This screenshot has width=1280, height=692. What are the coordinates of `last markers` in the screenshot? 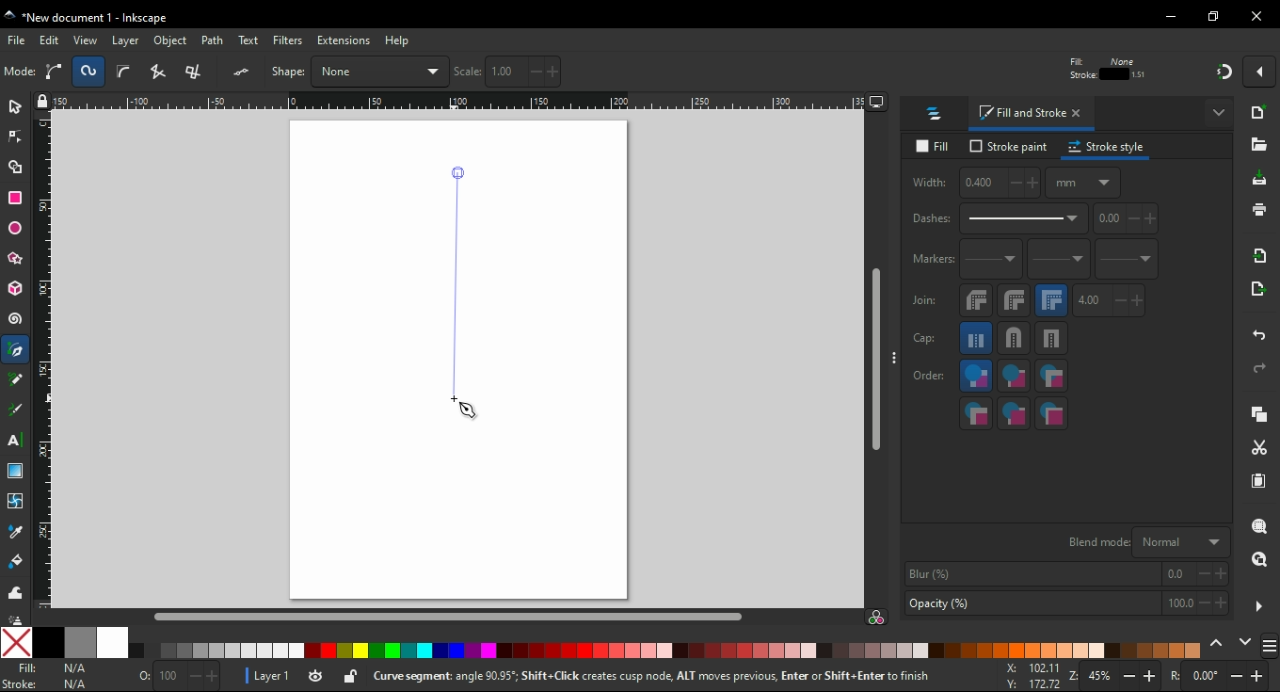 It's located at (1125, 259).